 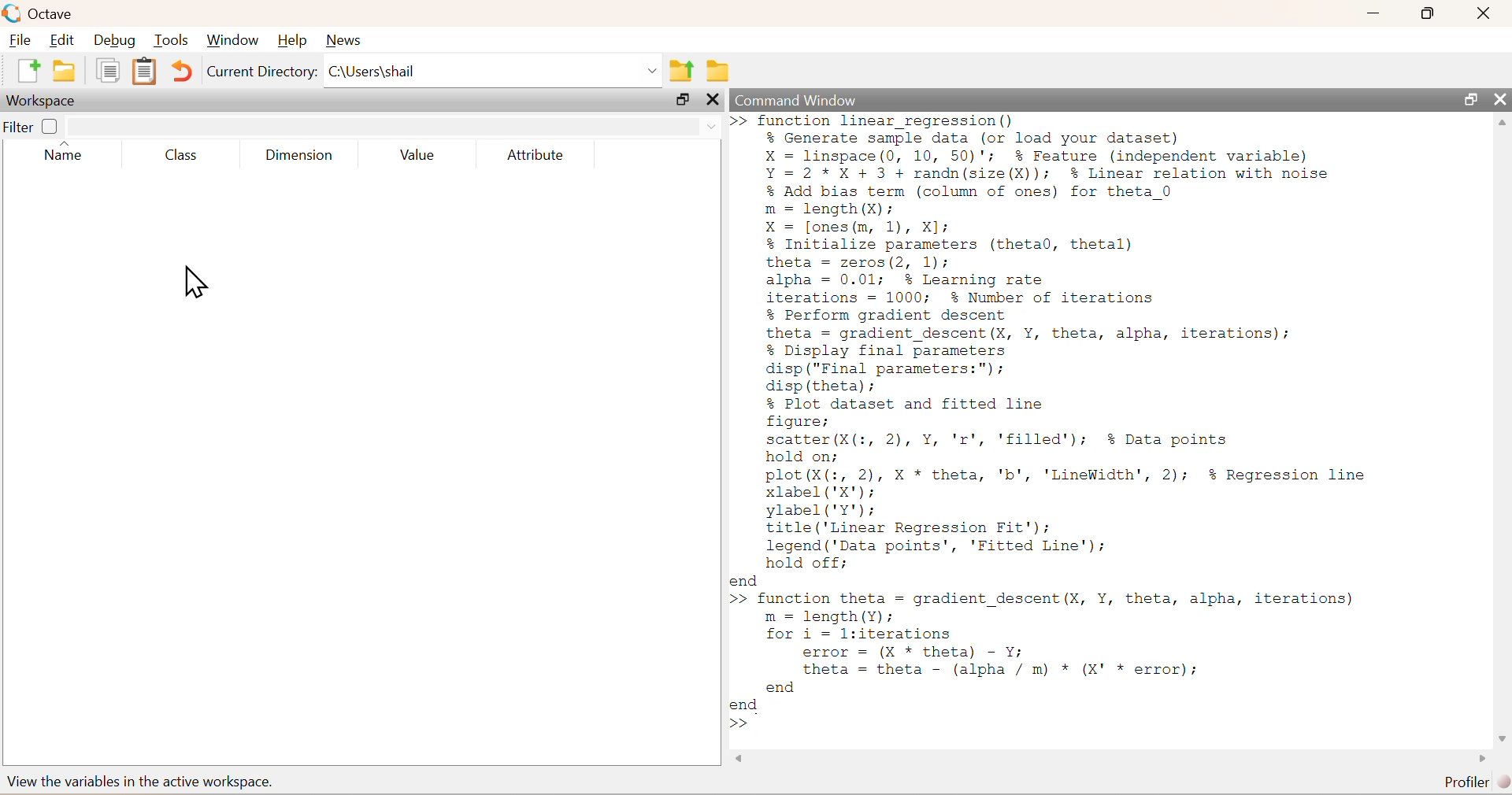 What do you see at coordinates (536, 154) in the screenshot?
I see `Attribute` at bounding box center [536, 154].